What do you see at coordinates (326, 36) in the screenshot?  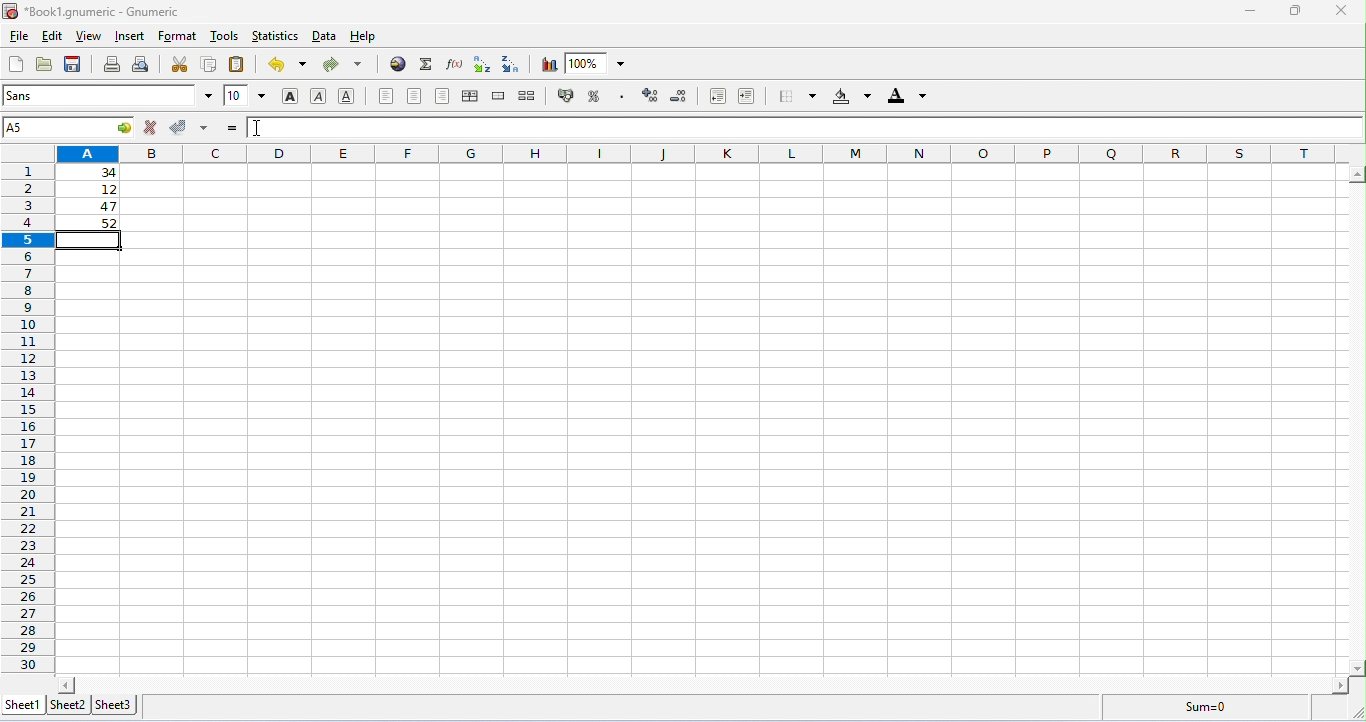 I see `data` at bounding box center [326, 36].